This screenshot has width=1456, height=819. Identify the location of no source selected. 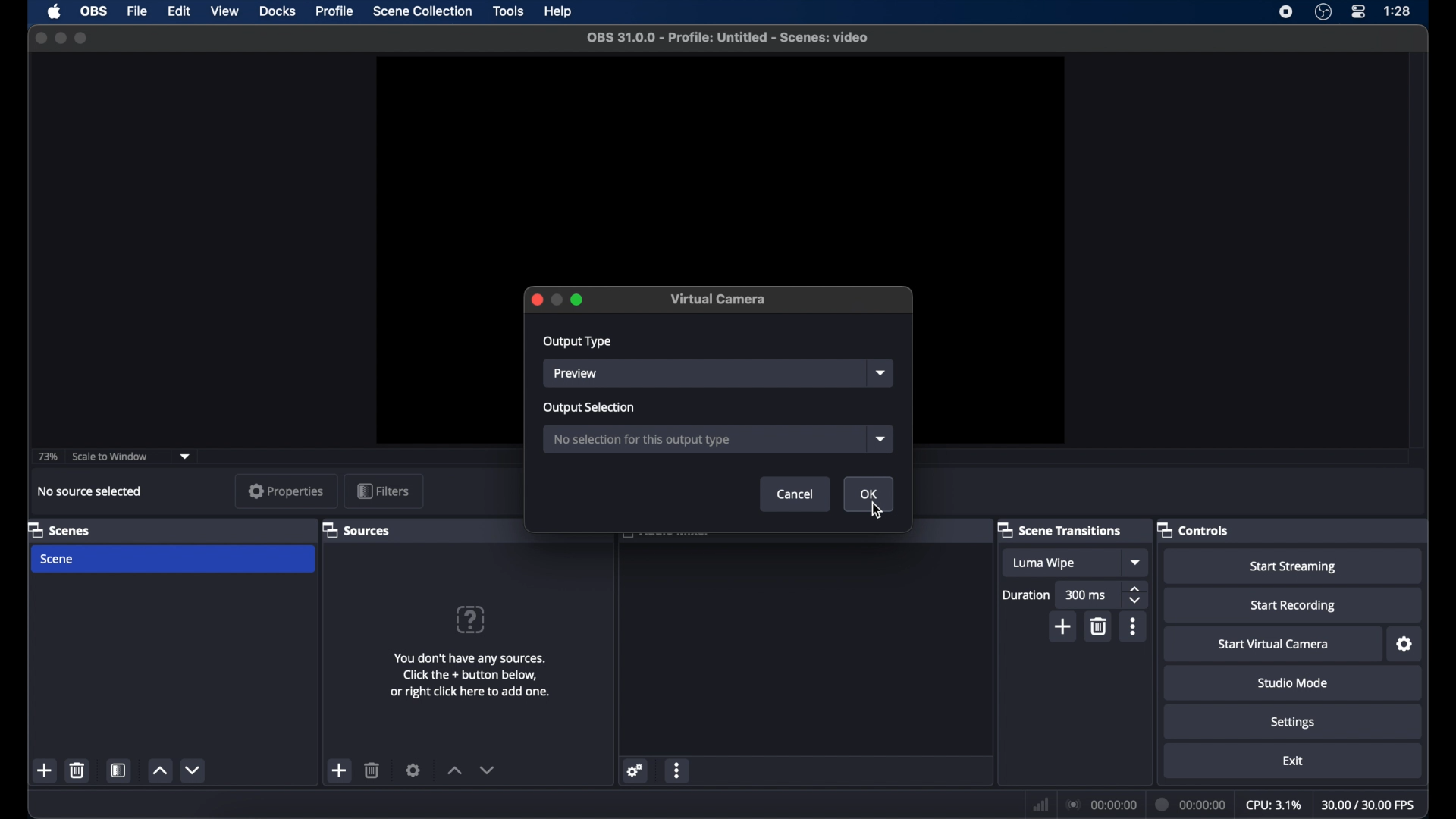
(87, 491).